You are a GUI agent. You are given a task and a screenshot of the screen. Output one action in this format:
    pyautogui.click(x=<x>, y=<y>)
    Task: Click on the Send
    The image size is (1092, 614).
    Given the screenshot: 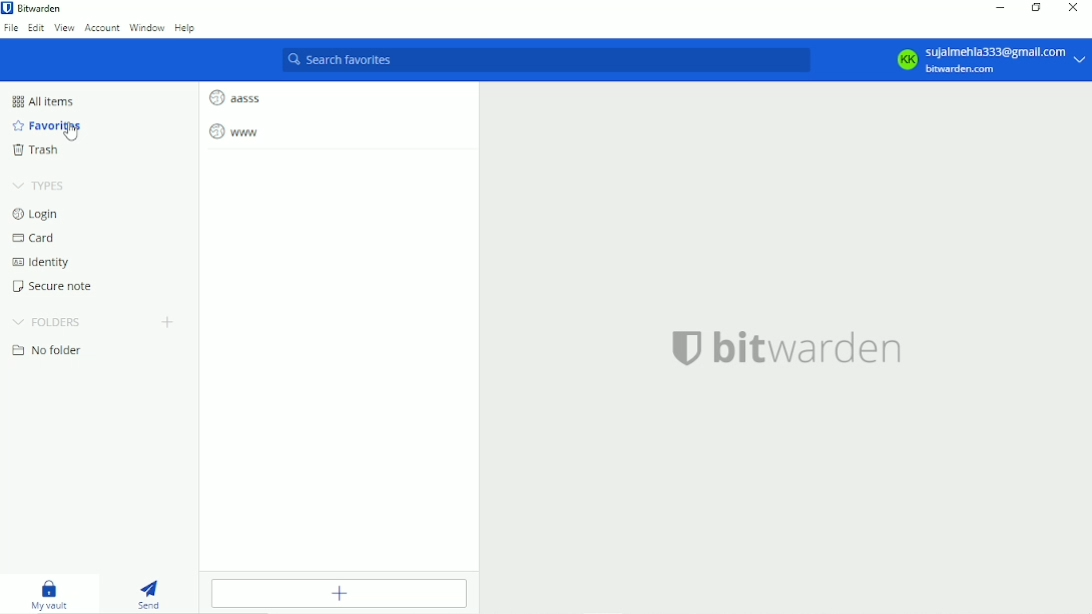 What is the action you would take?
    pyautogui.click(x=150, y=589)
    